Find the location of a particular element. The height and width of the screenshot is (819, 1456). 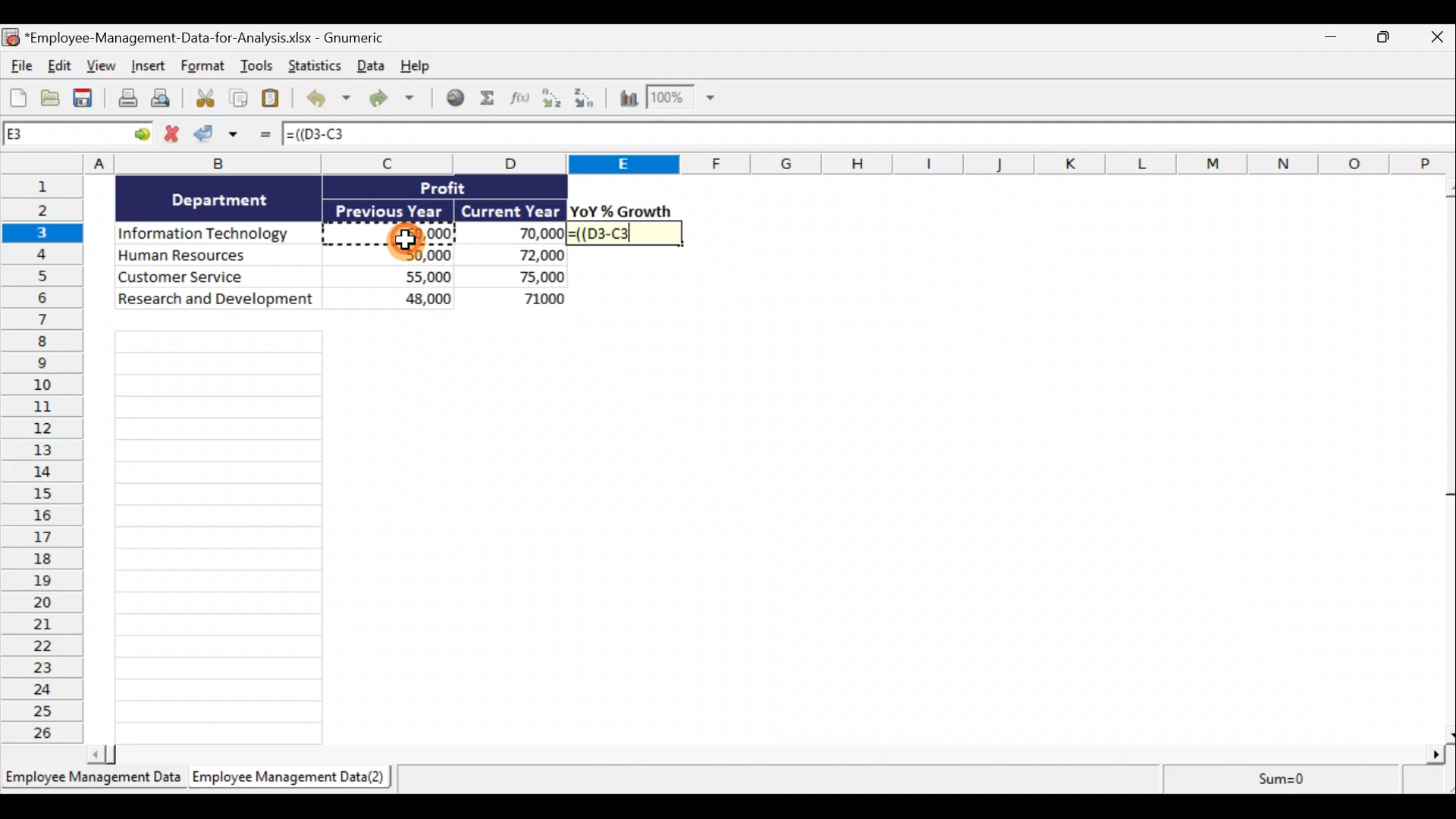

Insert hyperlink is located at coordinates (454, 99).